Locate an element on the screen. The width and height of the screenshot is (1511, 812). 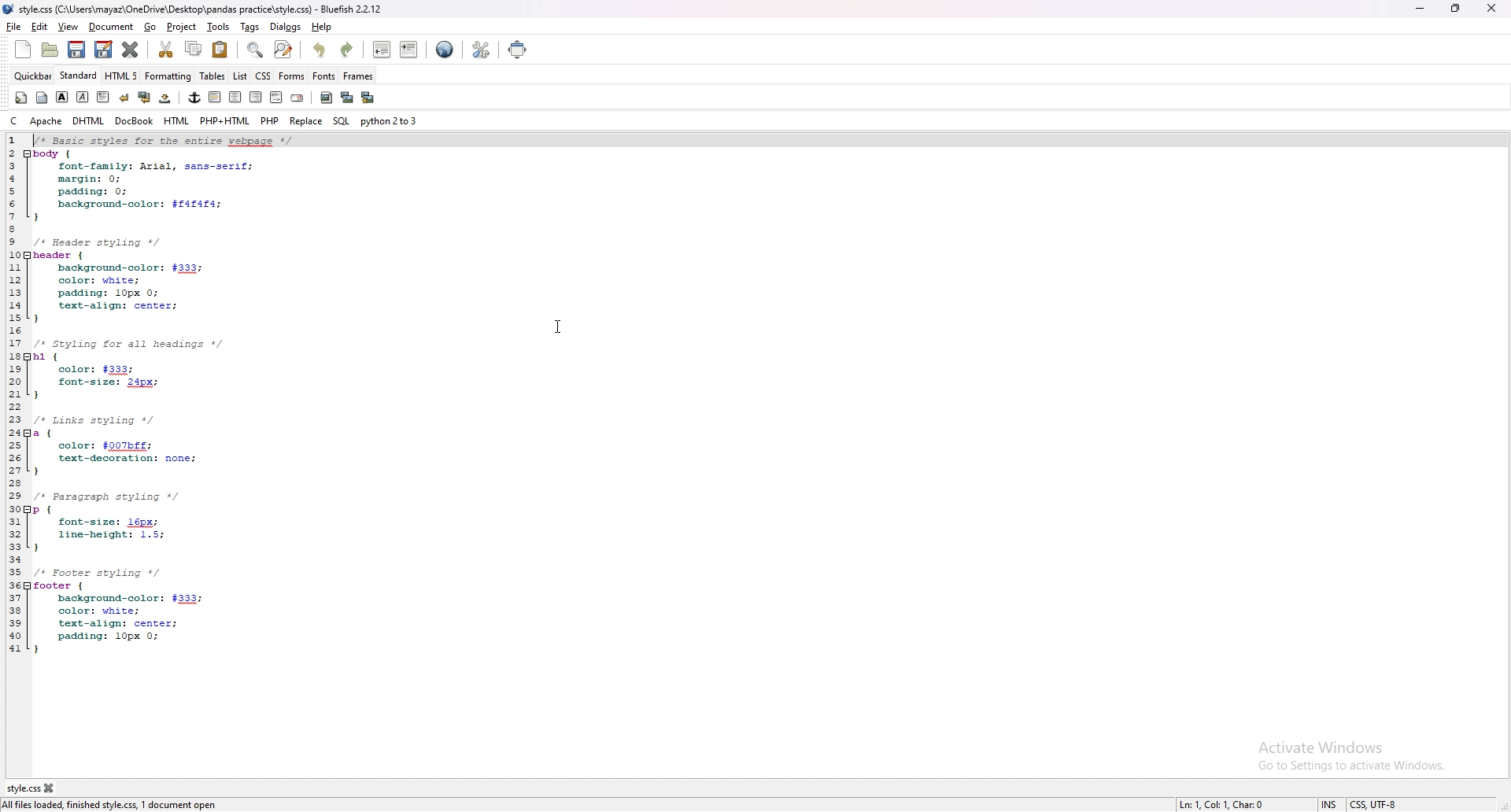
php+html is located at coordinates (225, 120).